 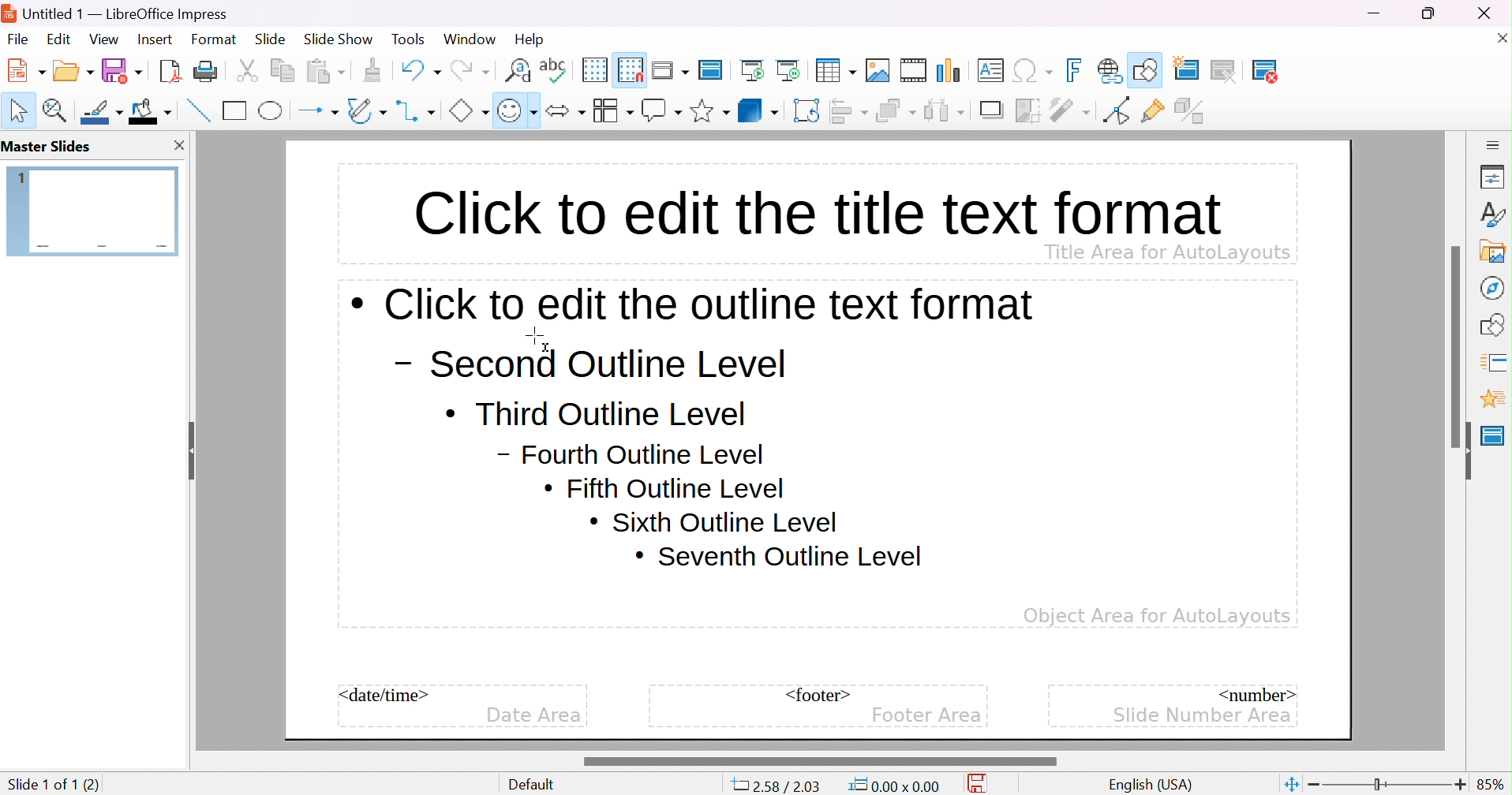 What do you see at coordinates (247, 70) in the screenshot?
I see `cut` at bounding box center [247, 70].